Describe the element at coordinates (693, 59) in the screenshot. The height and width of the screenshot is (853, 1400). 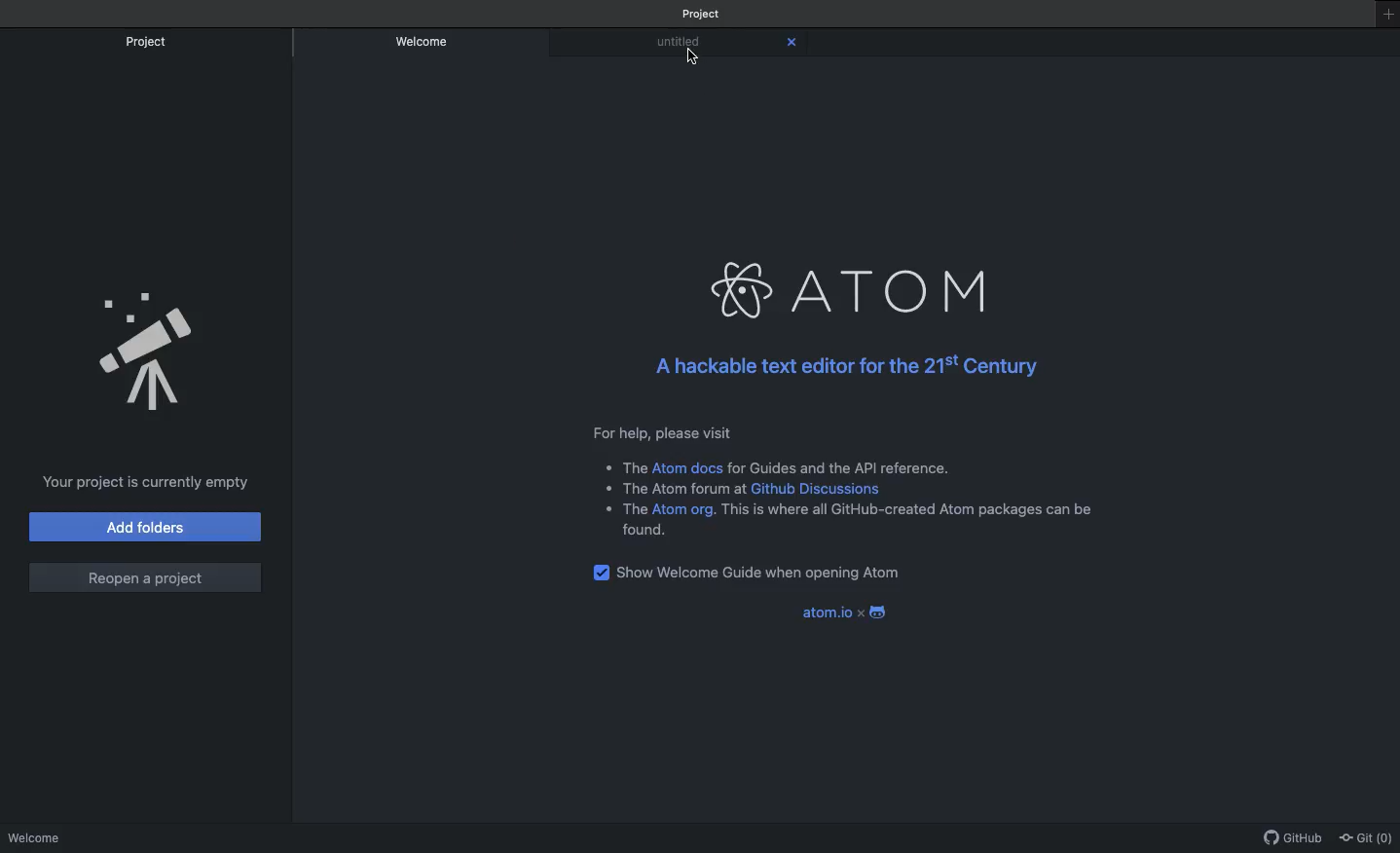
I see `cursor` at that location.